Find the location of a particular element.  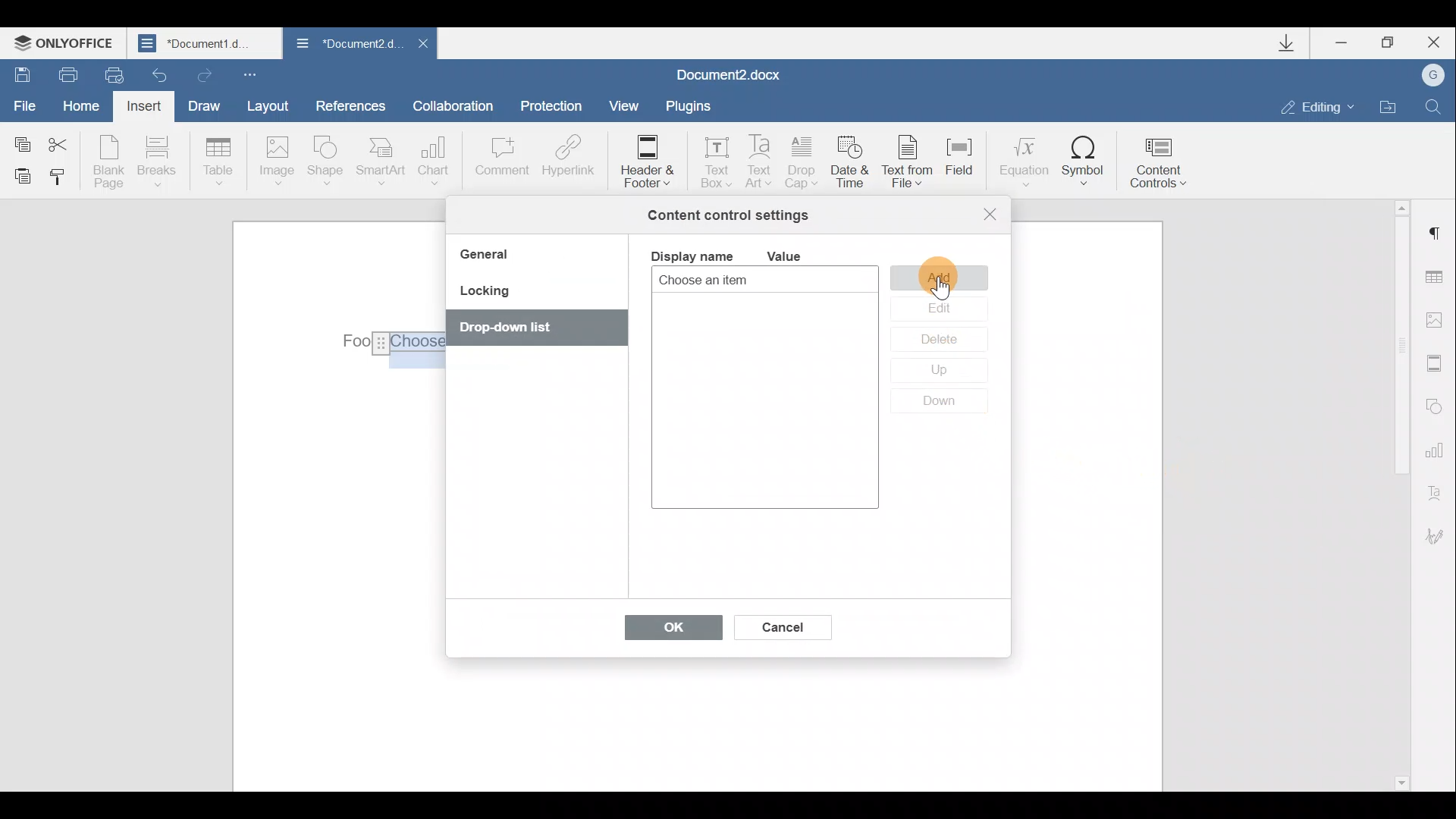

Minimize is located at coordinates (1348, 45).